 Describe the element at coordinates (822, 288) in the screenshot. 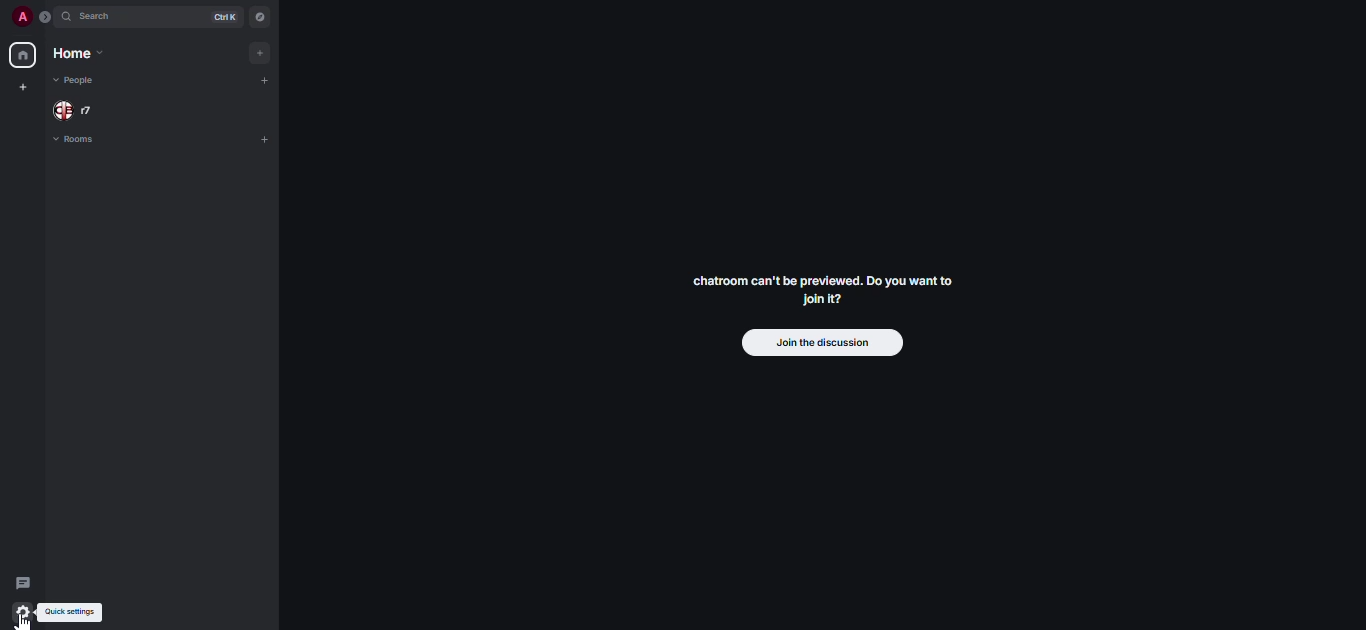

I see `chatroom can't be previewed. Do you want to
Join it?` at that location.